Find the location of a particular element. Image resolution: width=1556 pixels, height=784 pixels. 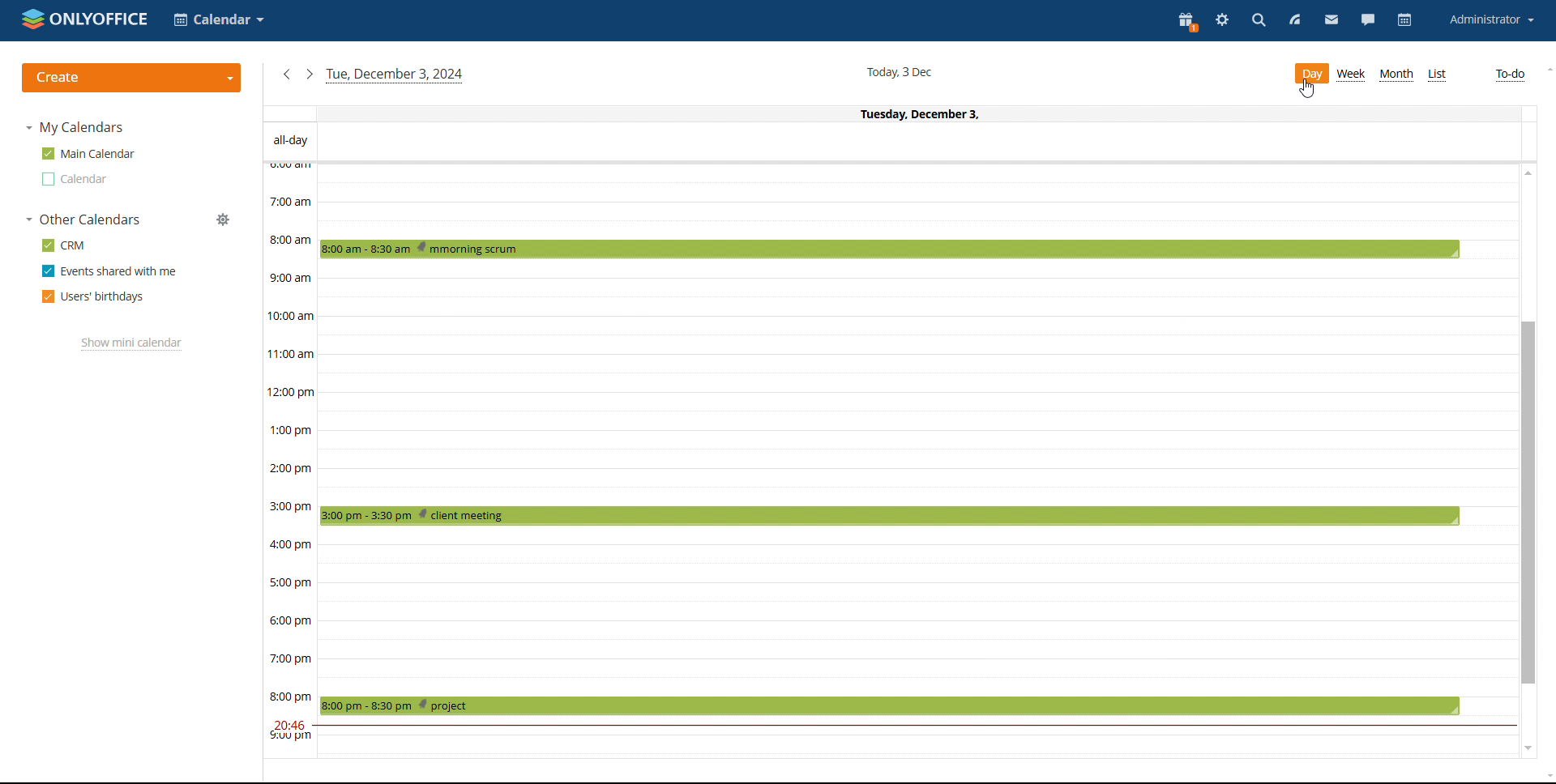

week view is located at coordinates (1352, 75).